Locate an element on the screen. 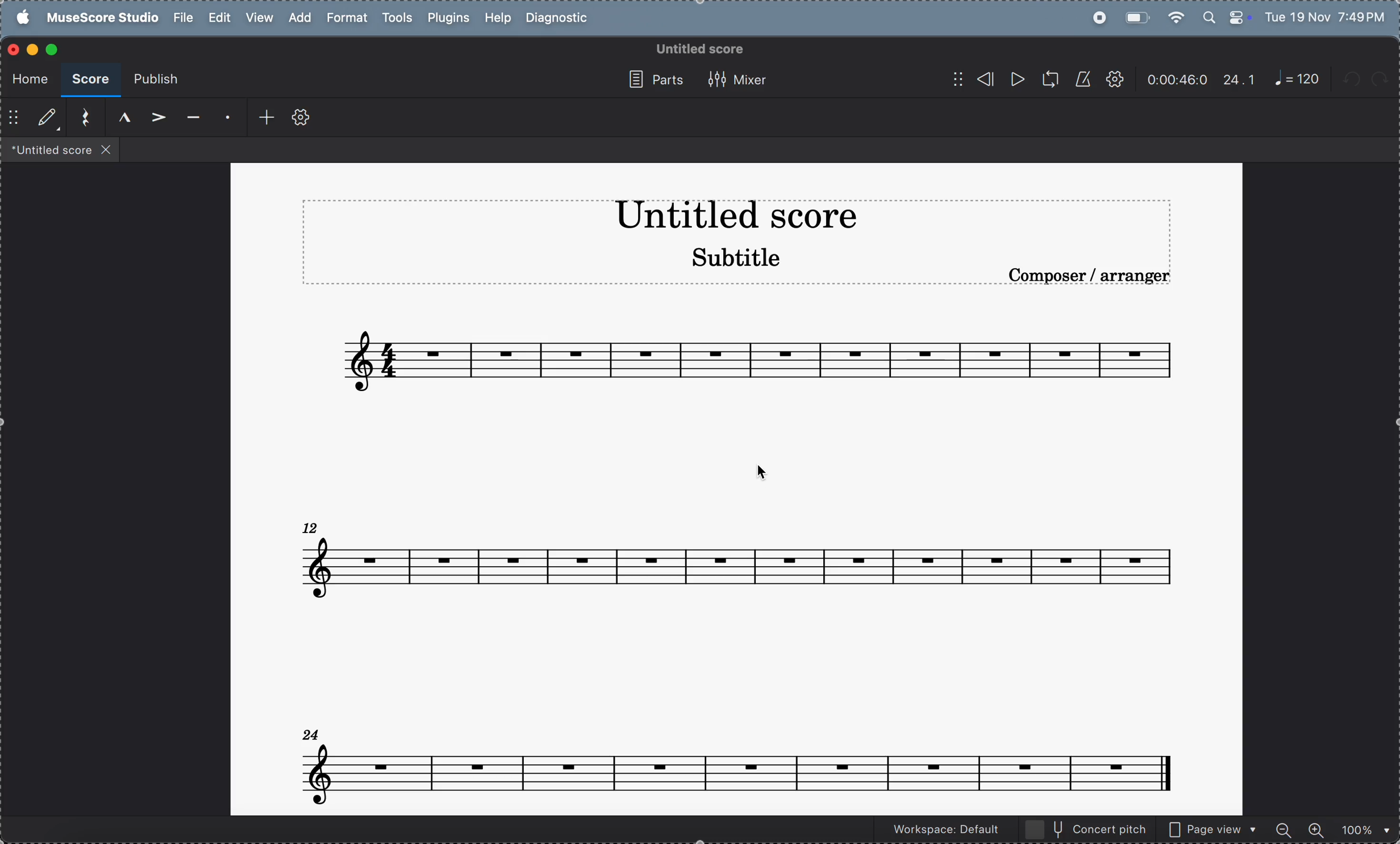 Image resolution: width=1400 pixels, height=844 pixels. apple menu is located at coordinates (19, 17).